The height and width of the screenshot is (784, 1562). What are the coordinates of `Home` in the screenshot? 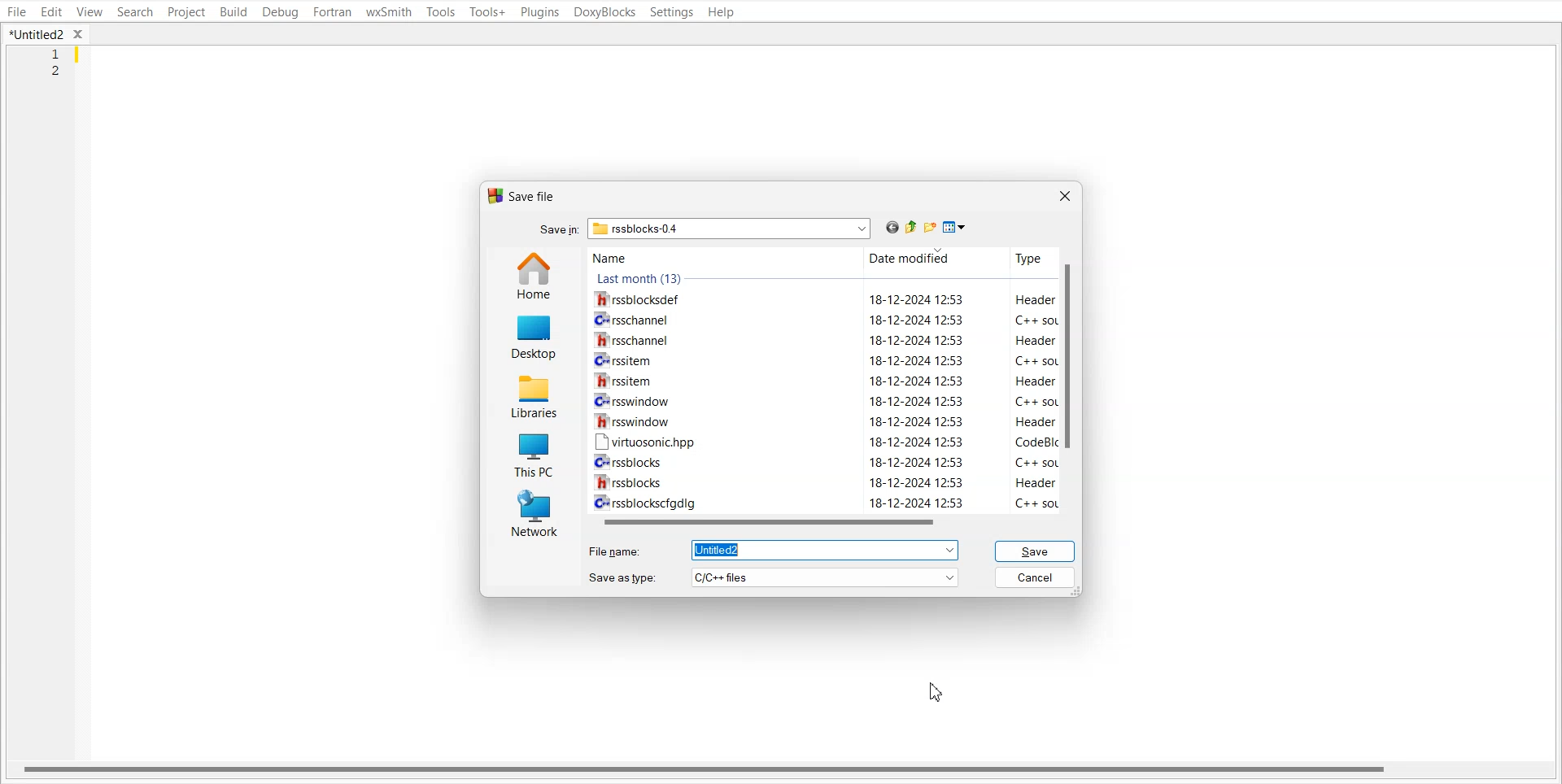 It's located at (534, 274).